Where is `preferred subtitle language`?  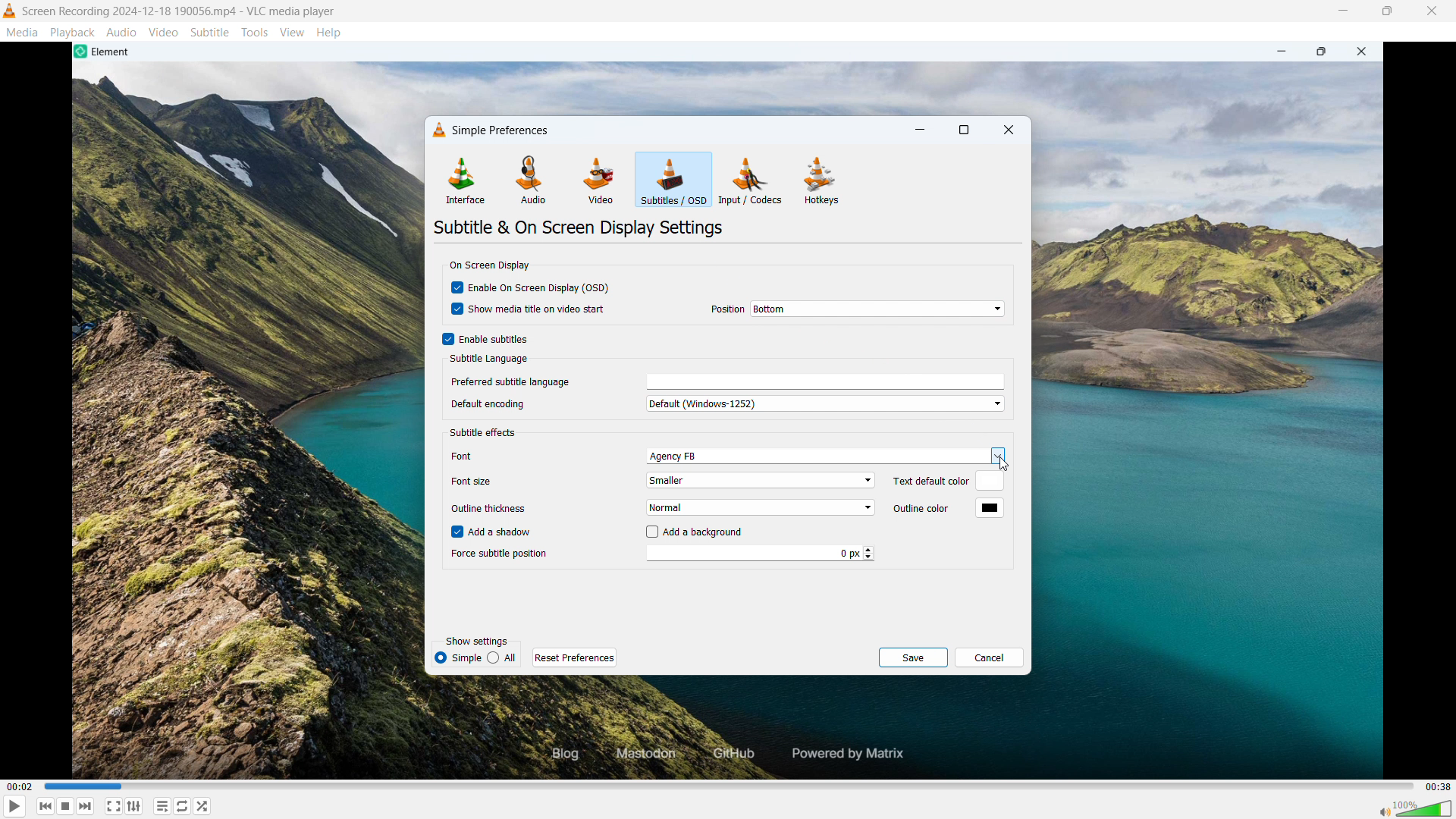
preferred subtitle language is located at coordinates (513, 381).